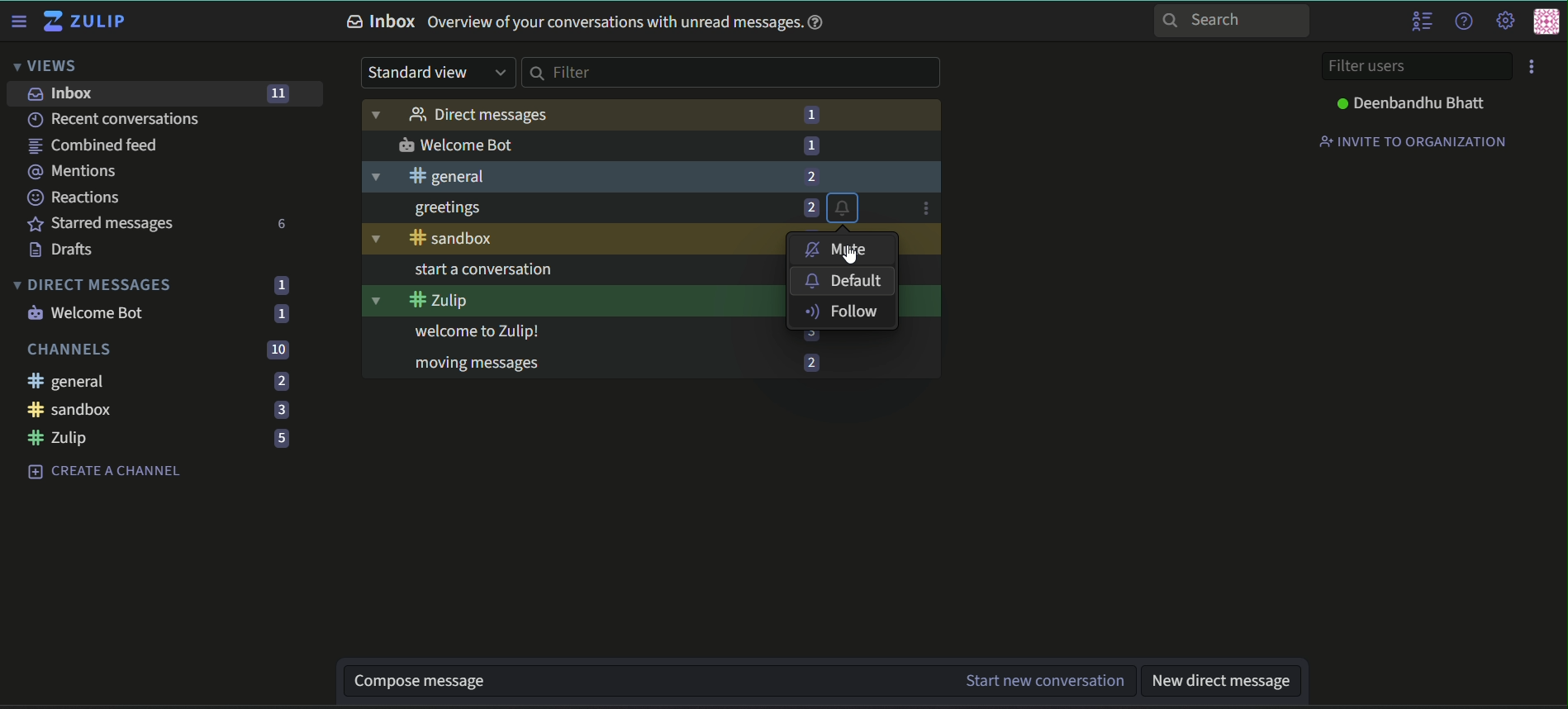 The image size is (1568, 709). I want to click on number, so click(811, 337).